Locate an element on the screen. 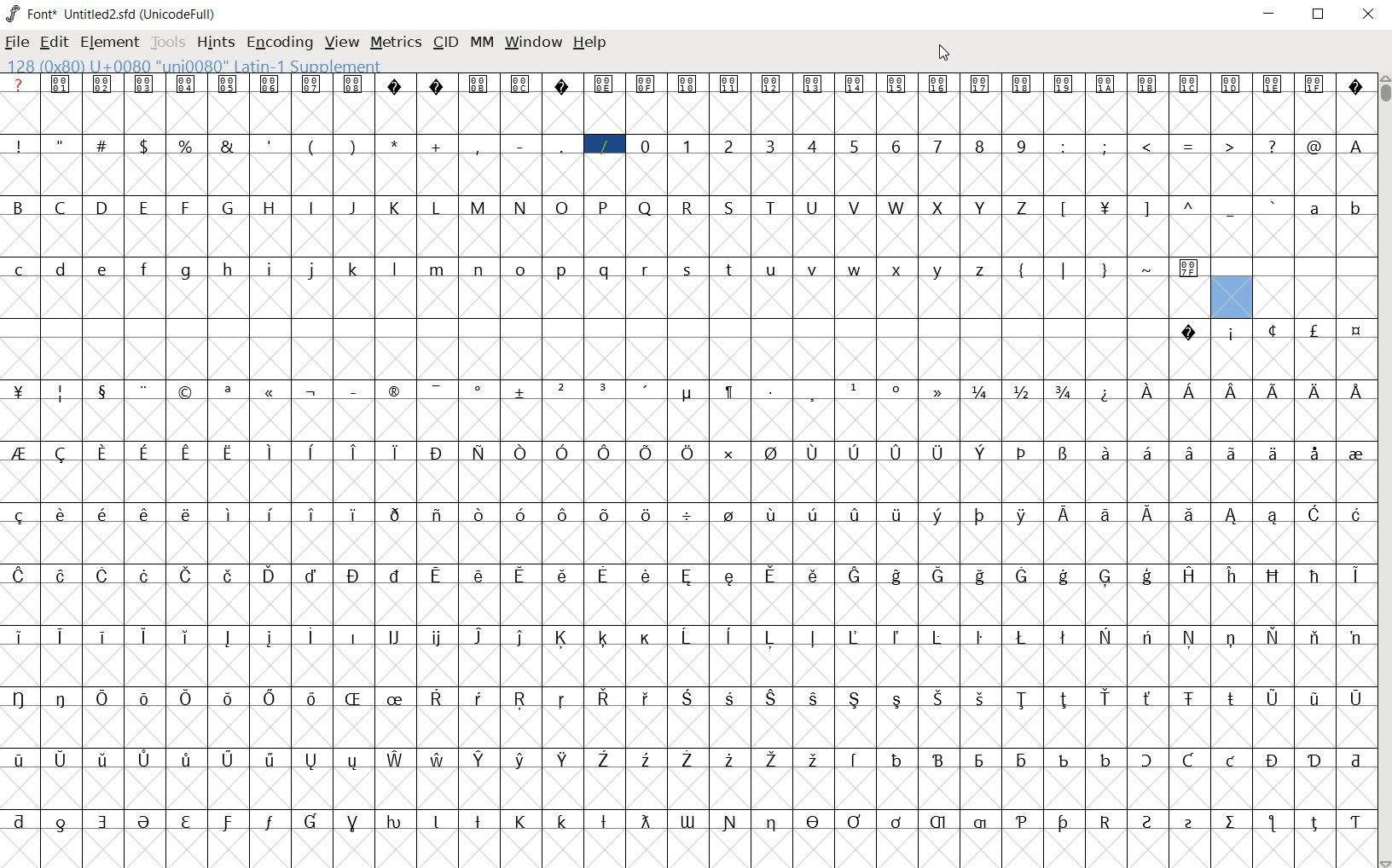  glyph is located at coordinates (980, 698).